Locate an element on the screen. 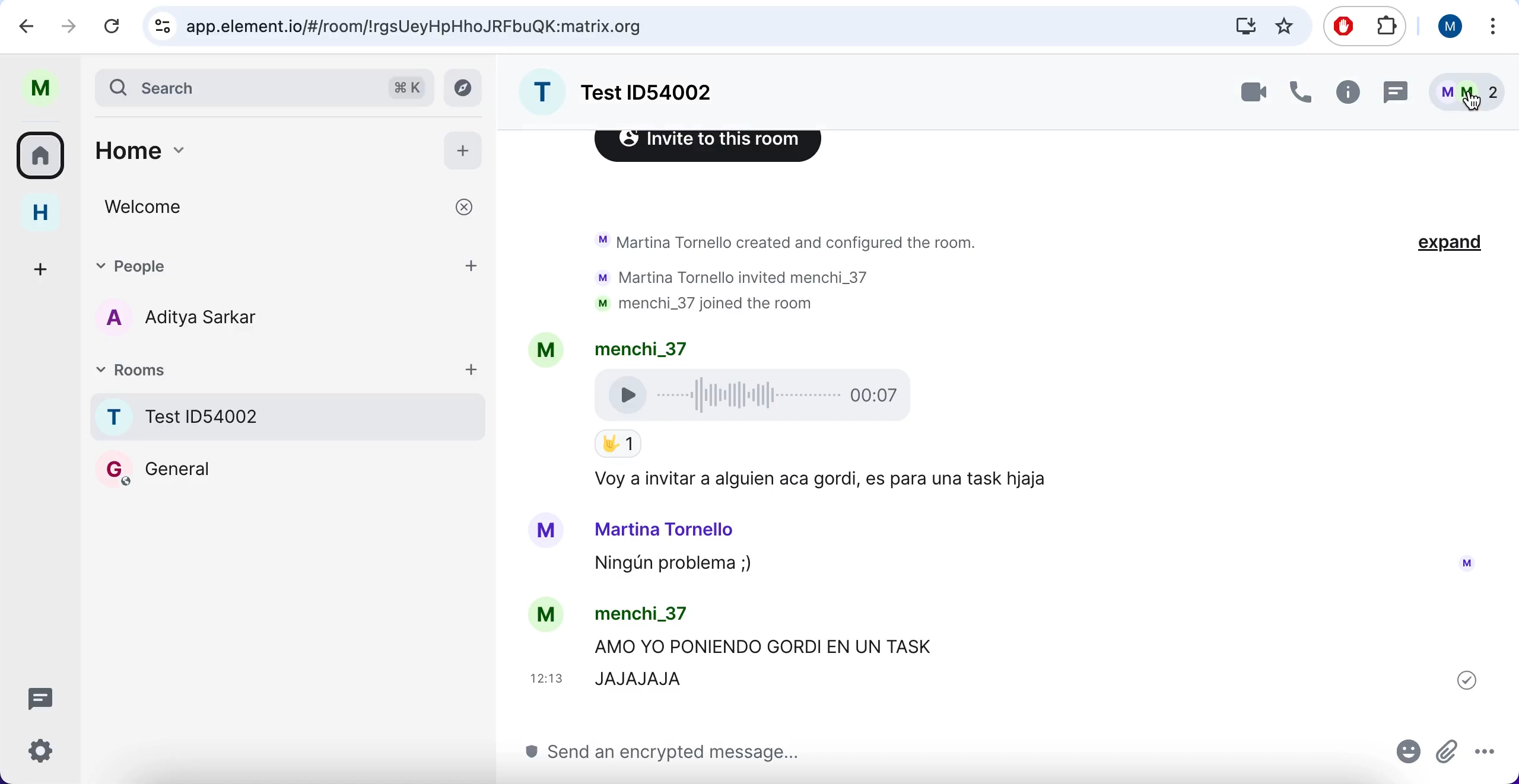 The image size is (1519, 784). search is located at coordinates (263, 88).